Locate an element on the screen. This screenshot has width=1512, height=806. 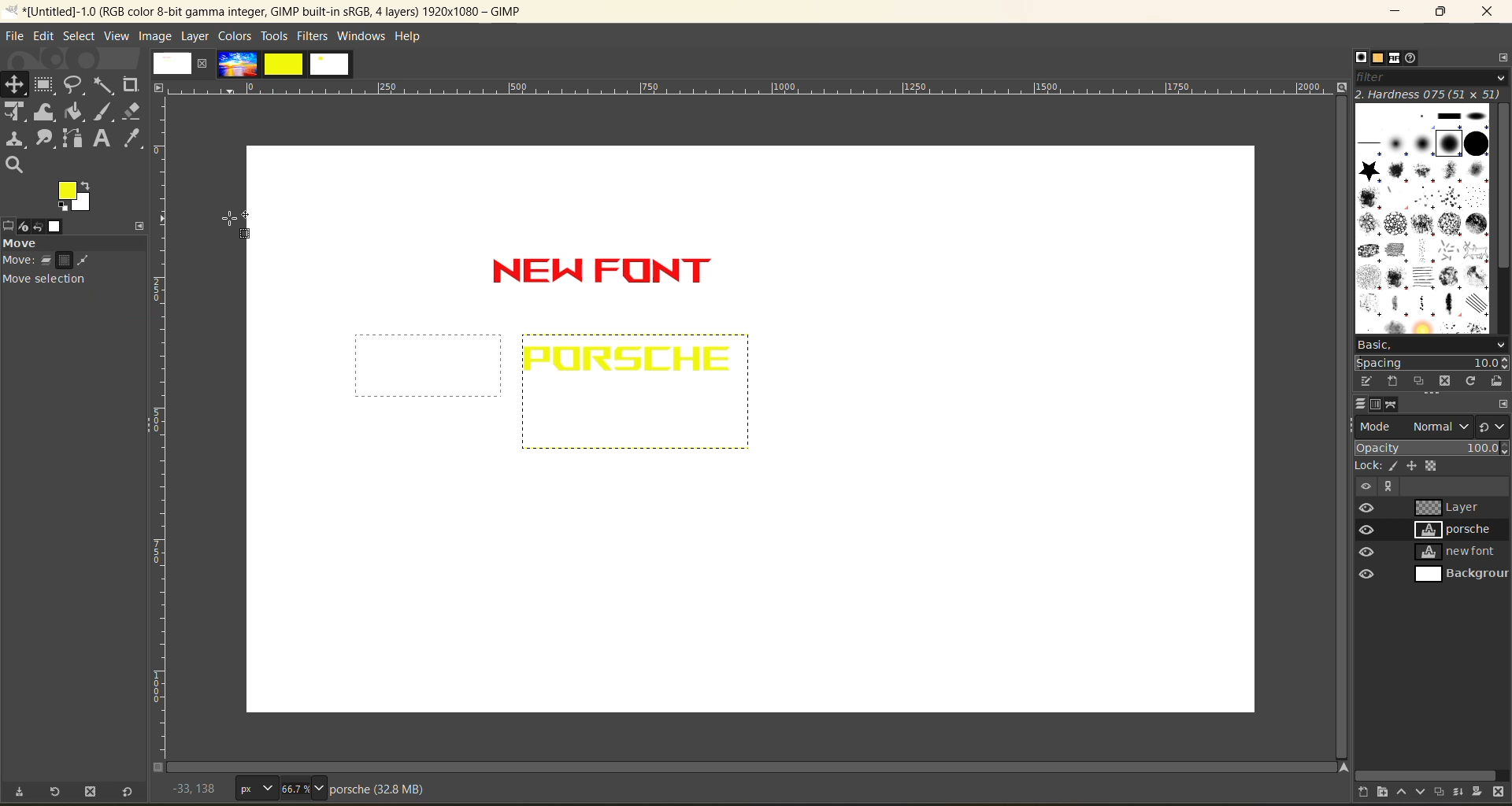
file is located at coordinates (13, 35).